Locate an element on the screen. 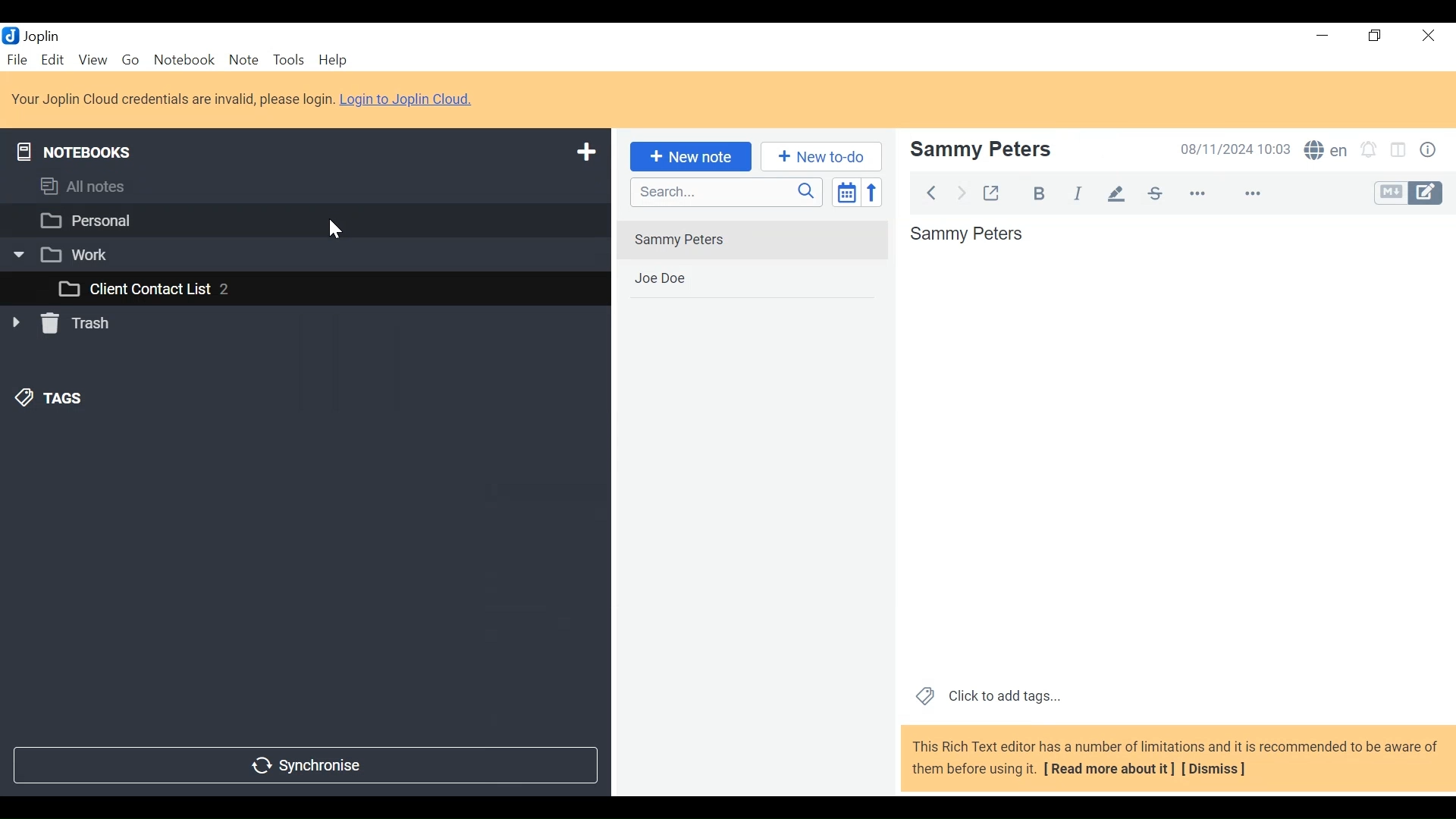 This screenshot has width=1456, height=819. Joe Doe is located at coordinates (755, 281).